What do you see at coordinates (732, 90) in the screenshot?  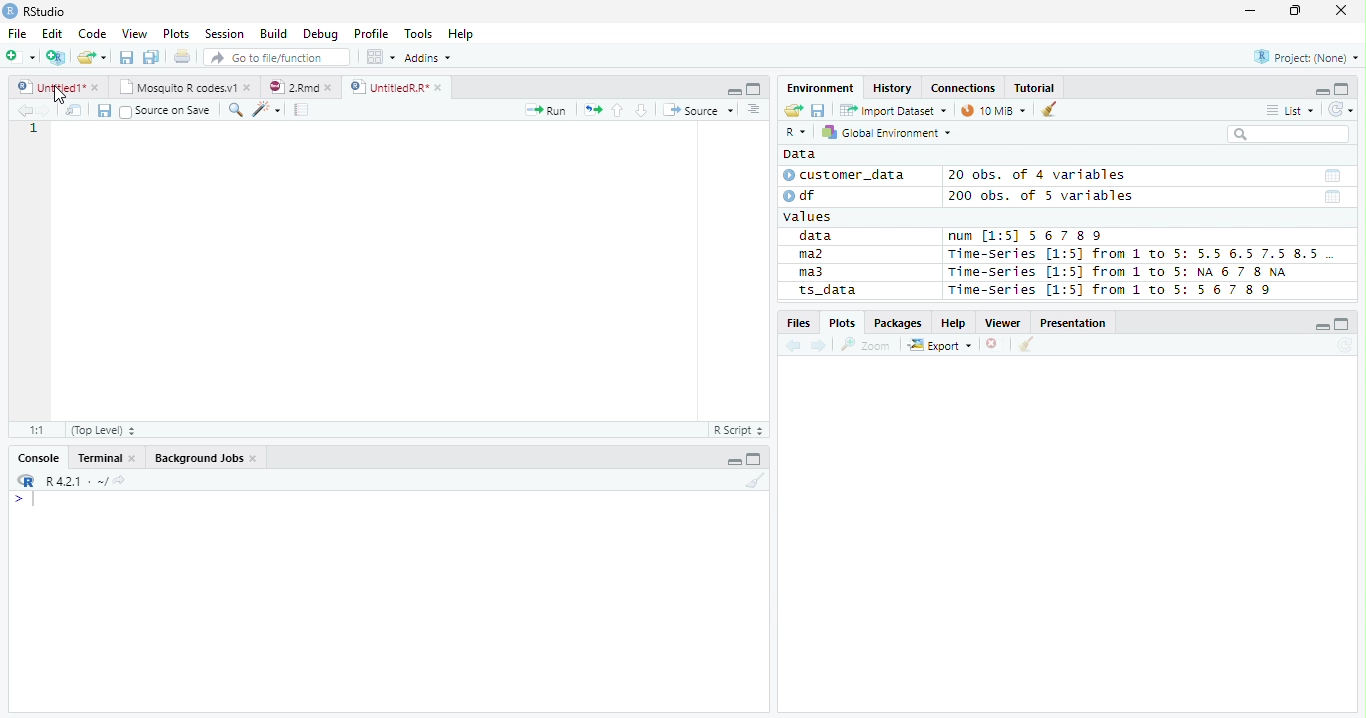 I see `Minimize` at bounding box center [732, 90].